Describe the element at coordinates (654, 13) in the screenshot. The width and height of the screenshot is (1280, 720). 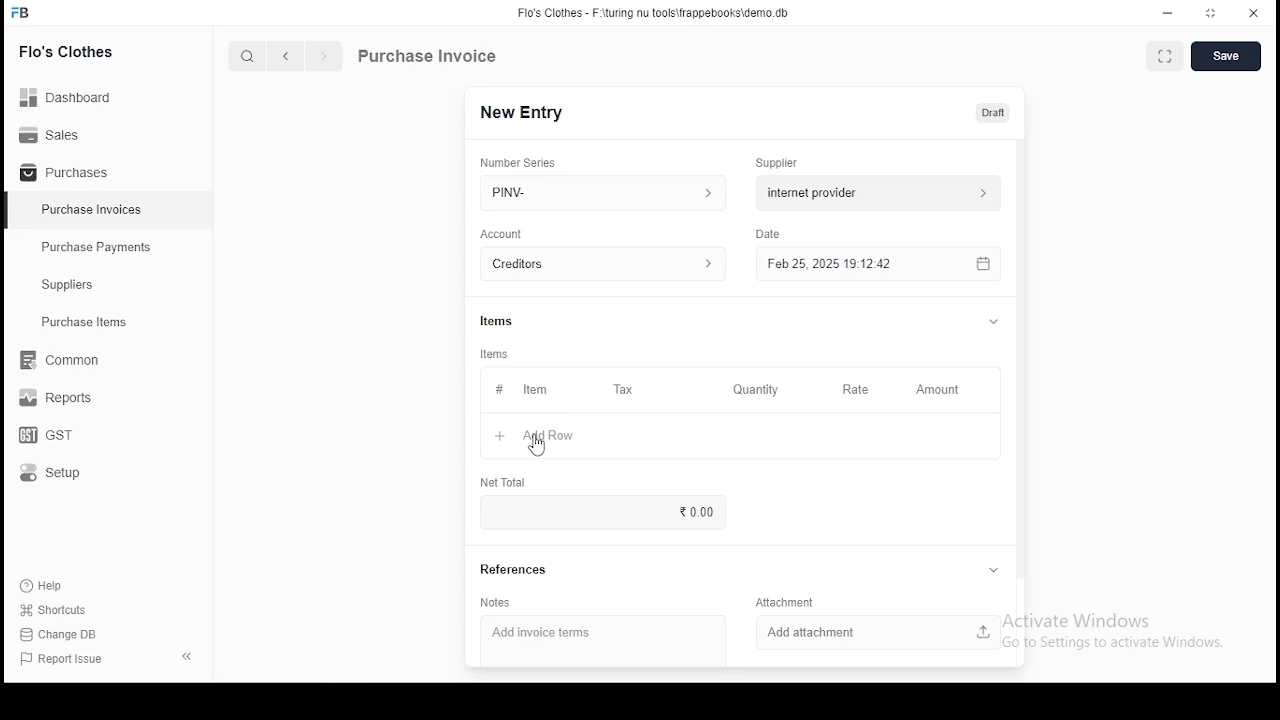
I see `flo's clothes - F:\turing nu tools\frappebooks\demo.db` at that location.